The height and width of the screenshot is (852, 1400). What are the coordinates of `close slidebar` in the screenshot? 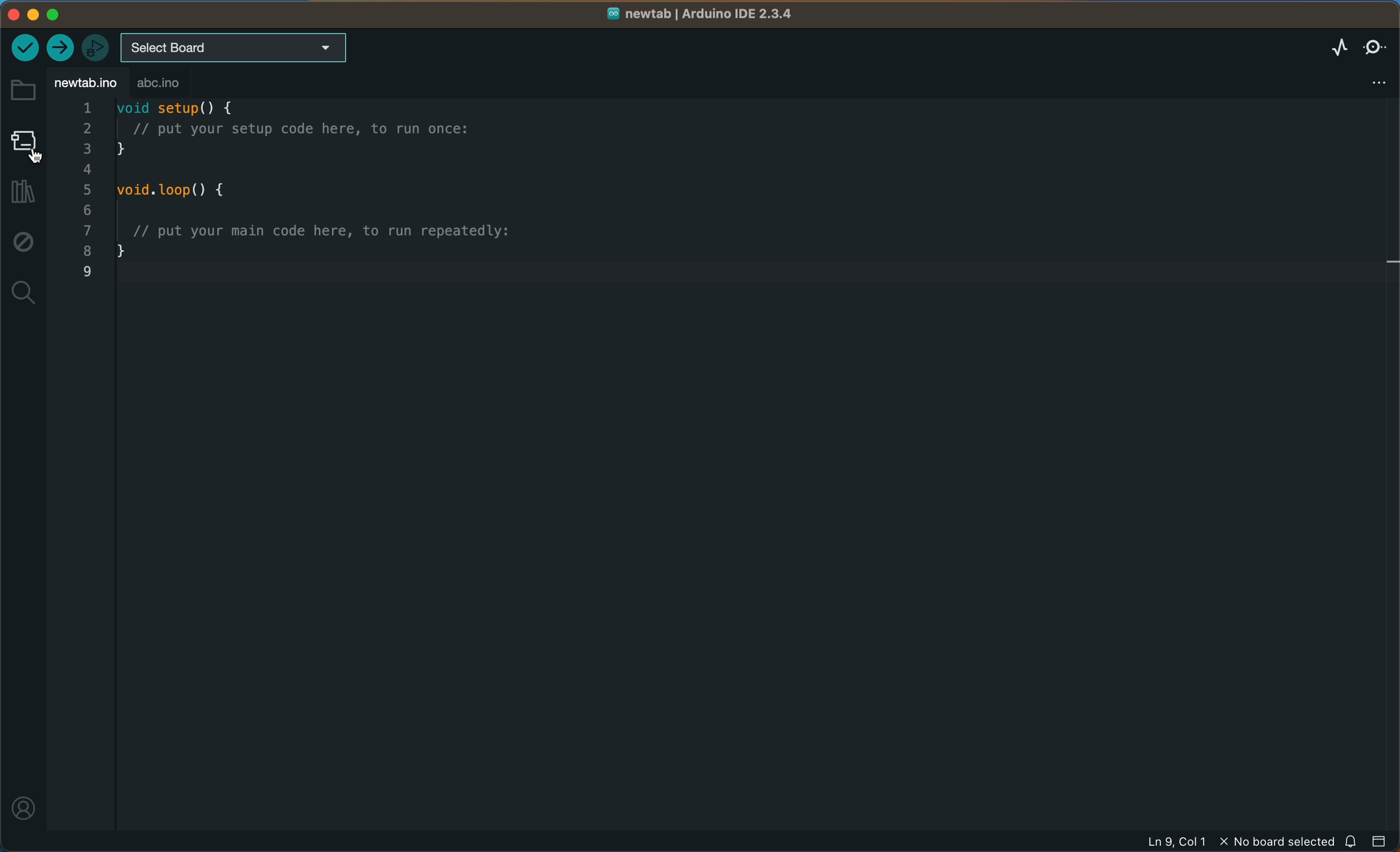 It's located at (1382, 842).